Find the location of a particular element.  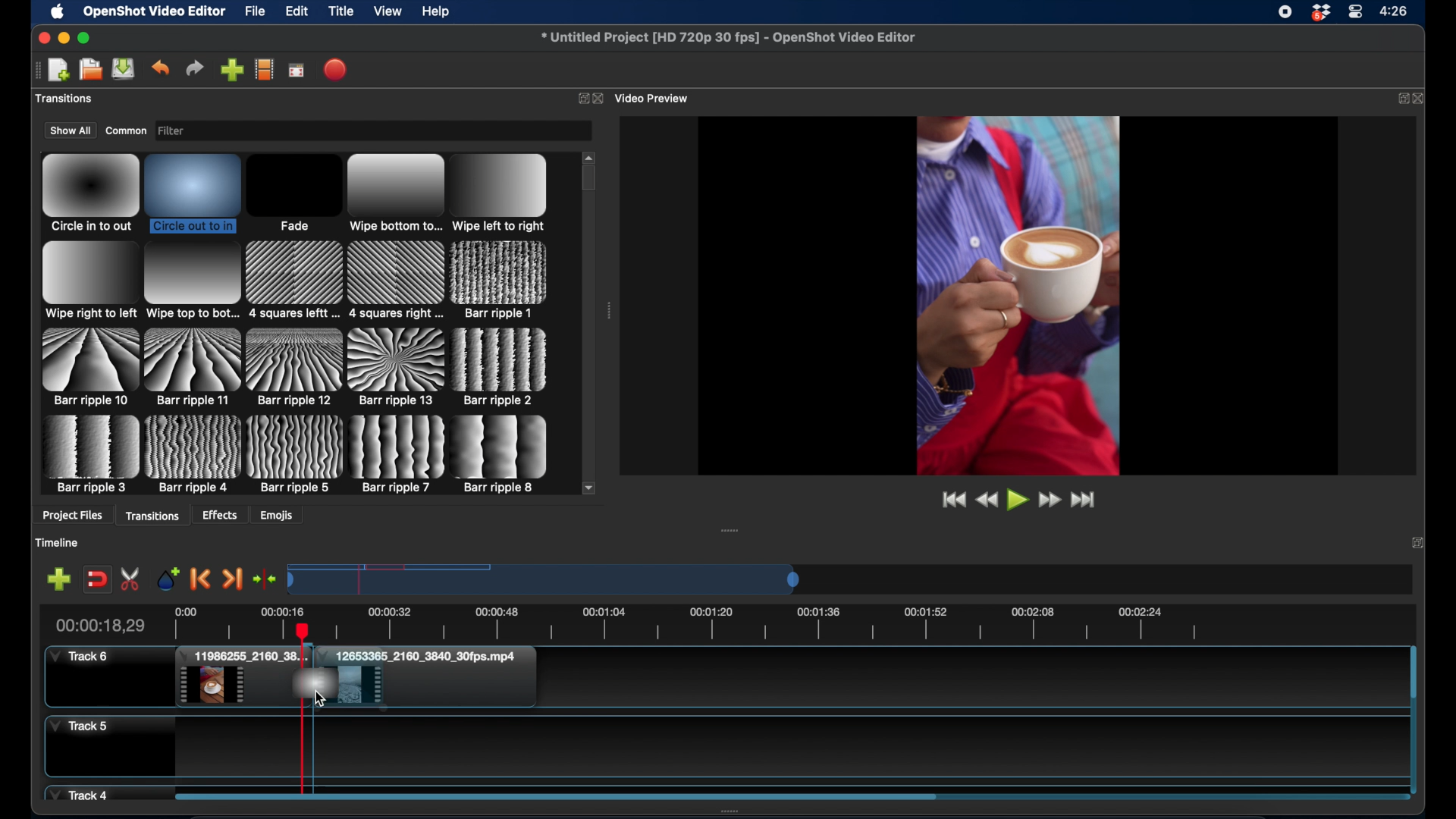

transition is located at coordinates (500, 280).